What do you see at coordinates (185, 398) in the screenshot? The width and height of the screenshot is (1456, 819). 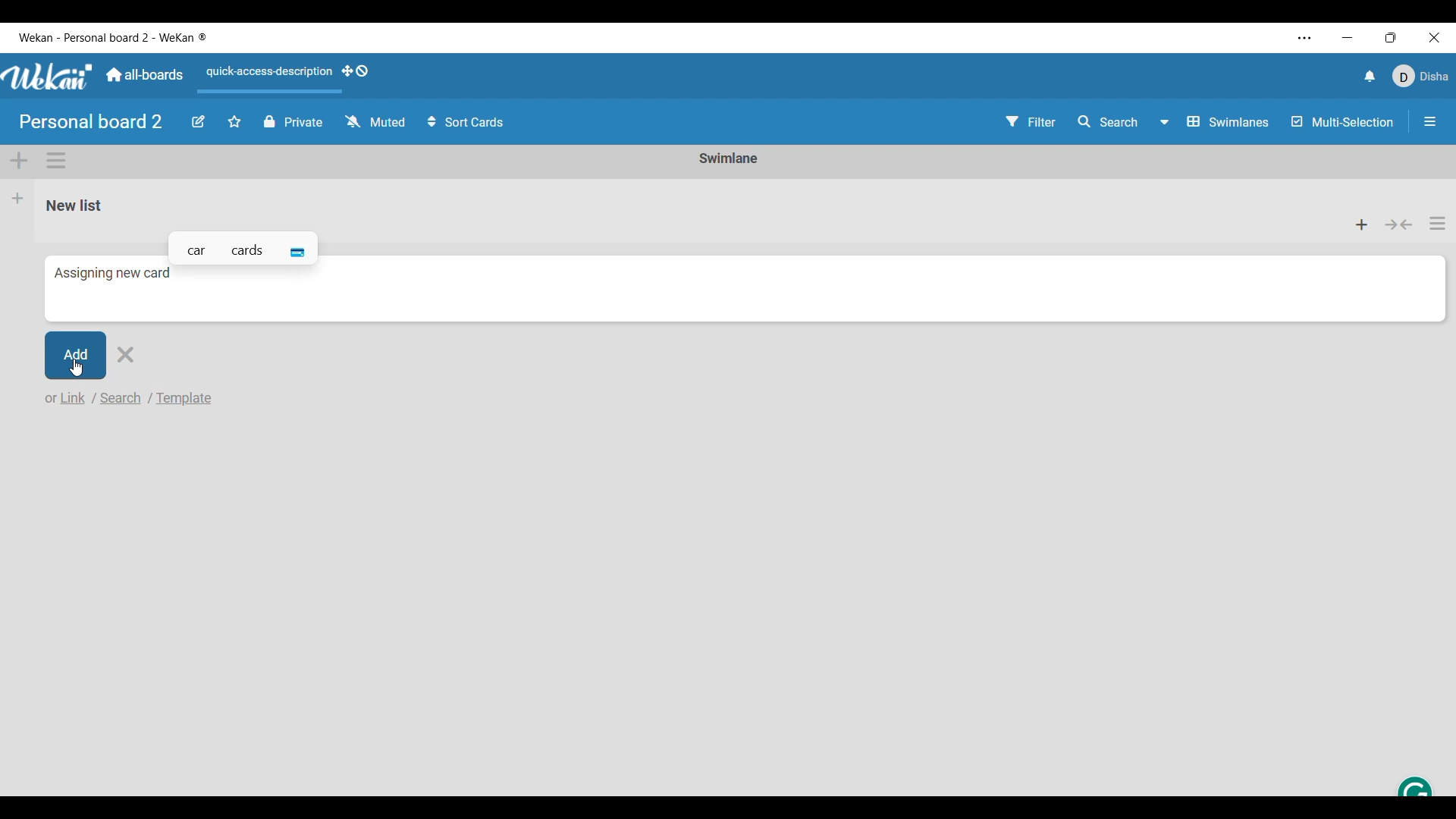 I see `Search template` at bounding box center [185, 398].